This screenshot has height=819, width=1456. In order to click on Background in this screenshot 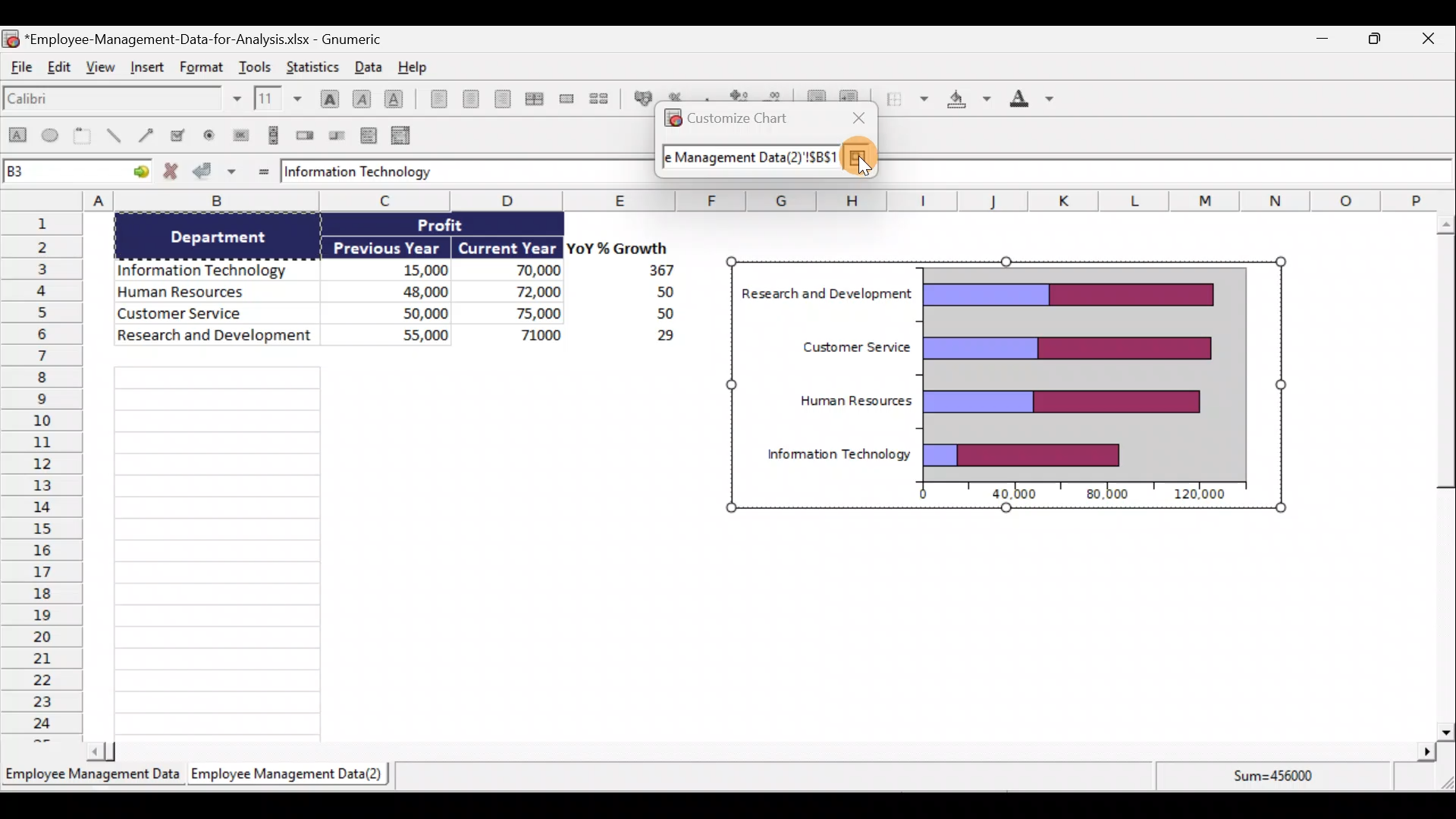, I will do `click(970, 102)`.